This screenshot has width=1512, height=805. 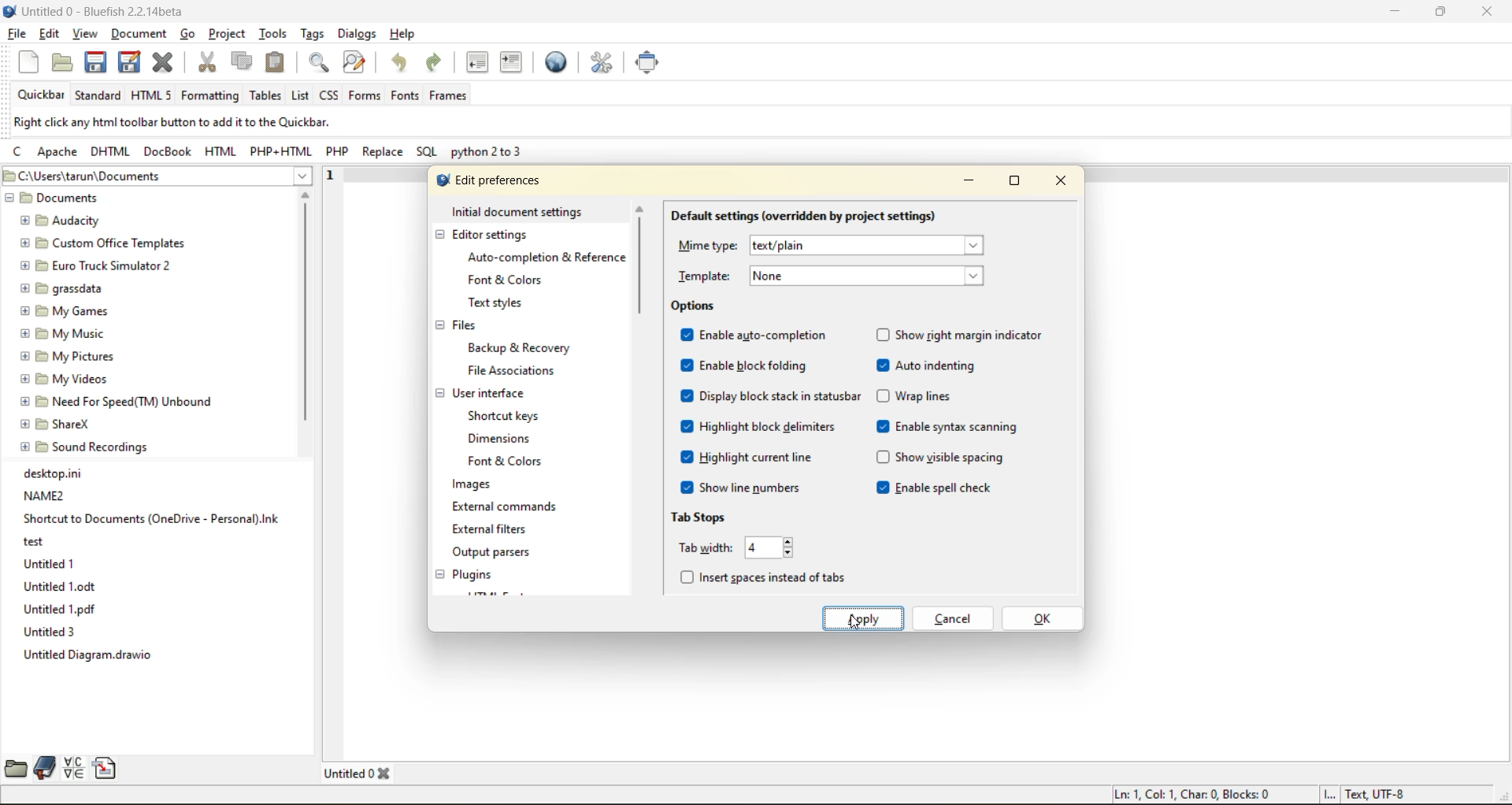 I want to click on template, so click(x=834, y=276).